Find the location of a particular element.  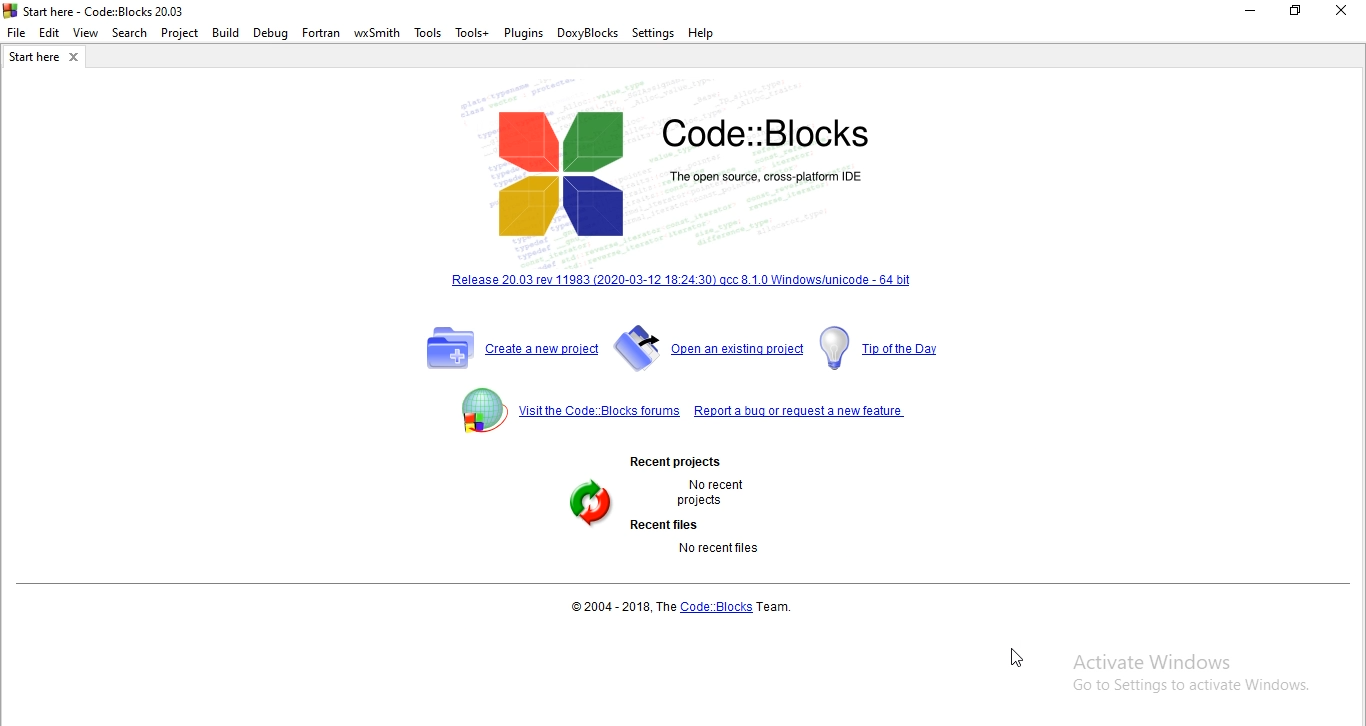

Link is located at coordinates (806, 410).